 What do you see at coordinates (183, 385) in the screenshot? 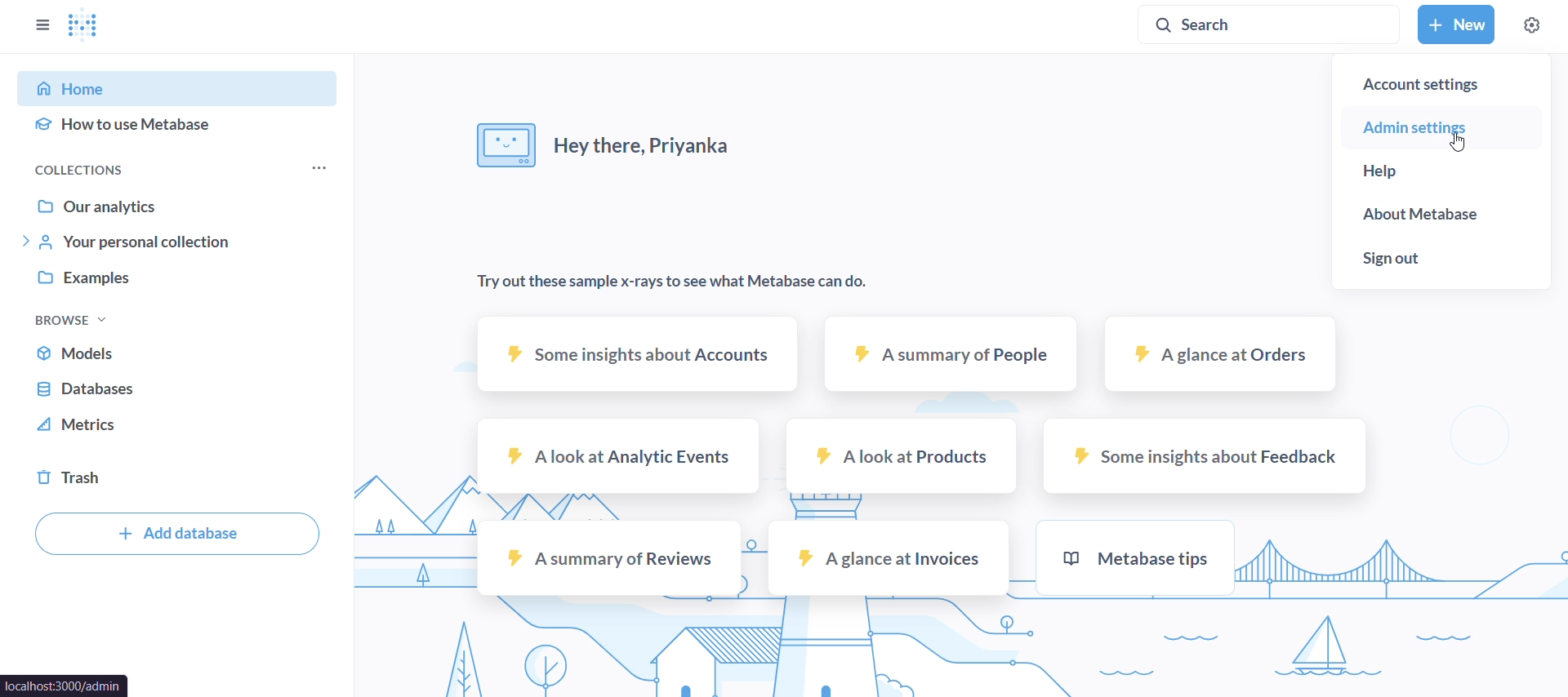
I see `database` at bounding box center [183, 385].